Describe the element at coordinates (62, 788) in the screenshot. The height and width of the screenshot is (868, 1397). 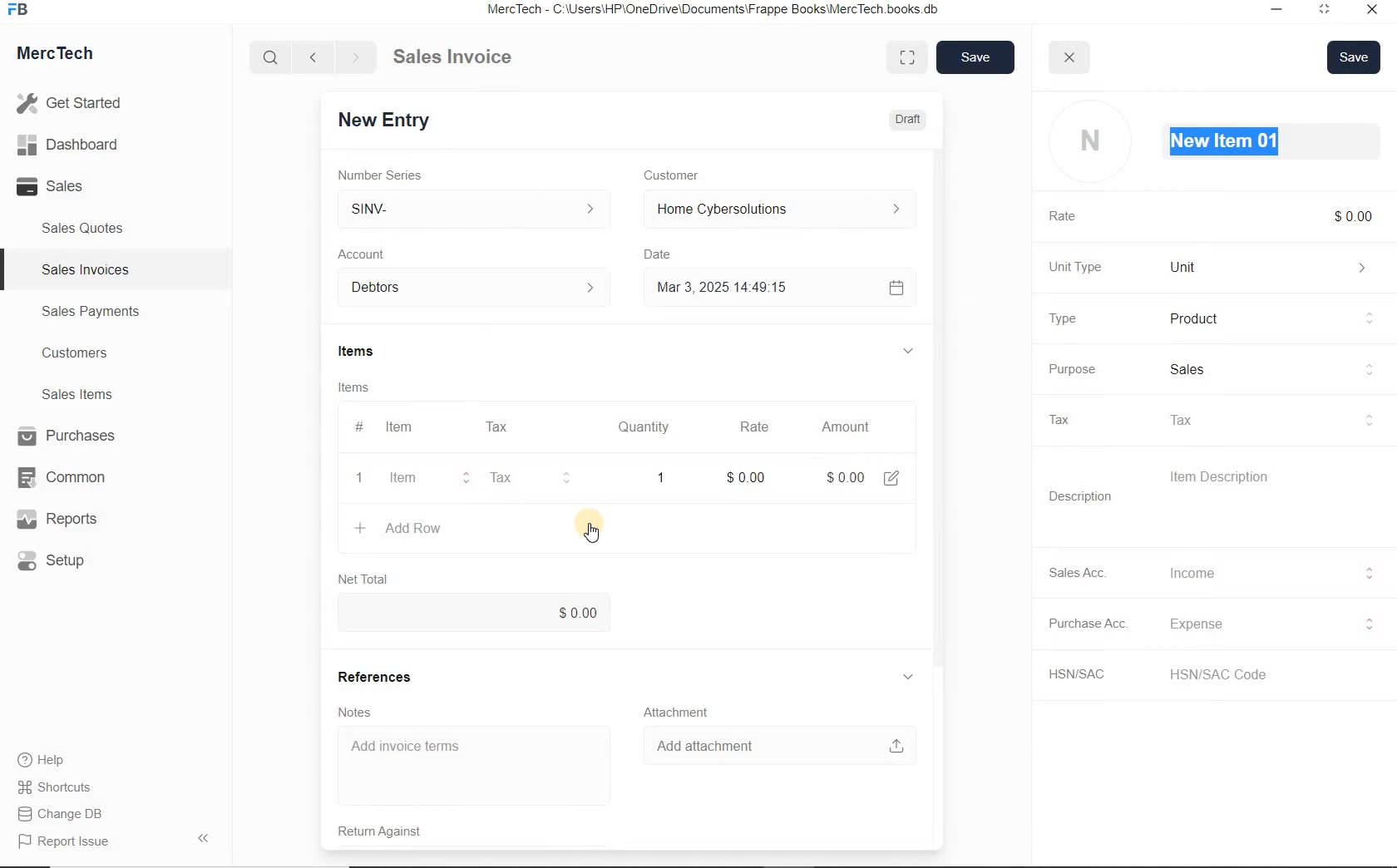
I see `Shortcuts` at that location.